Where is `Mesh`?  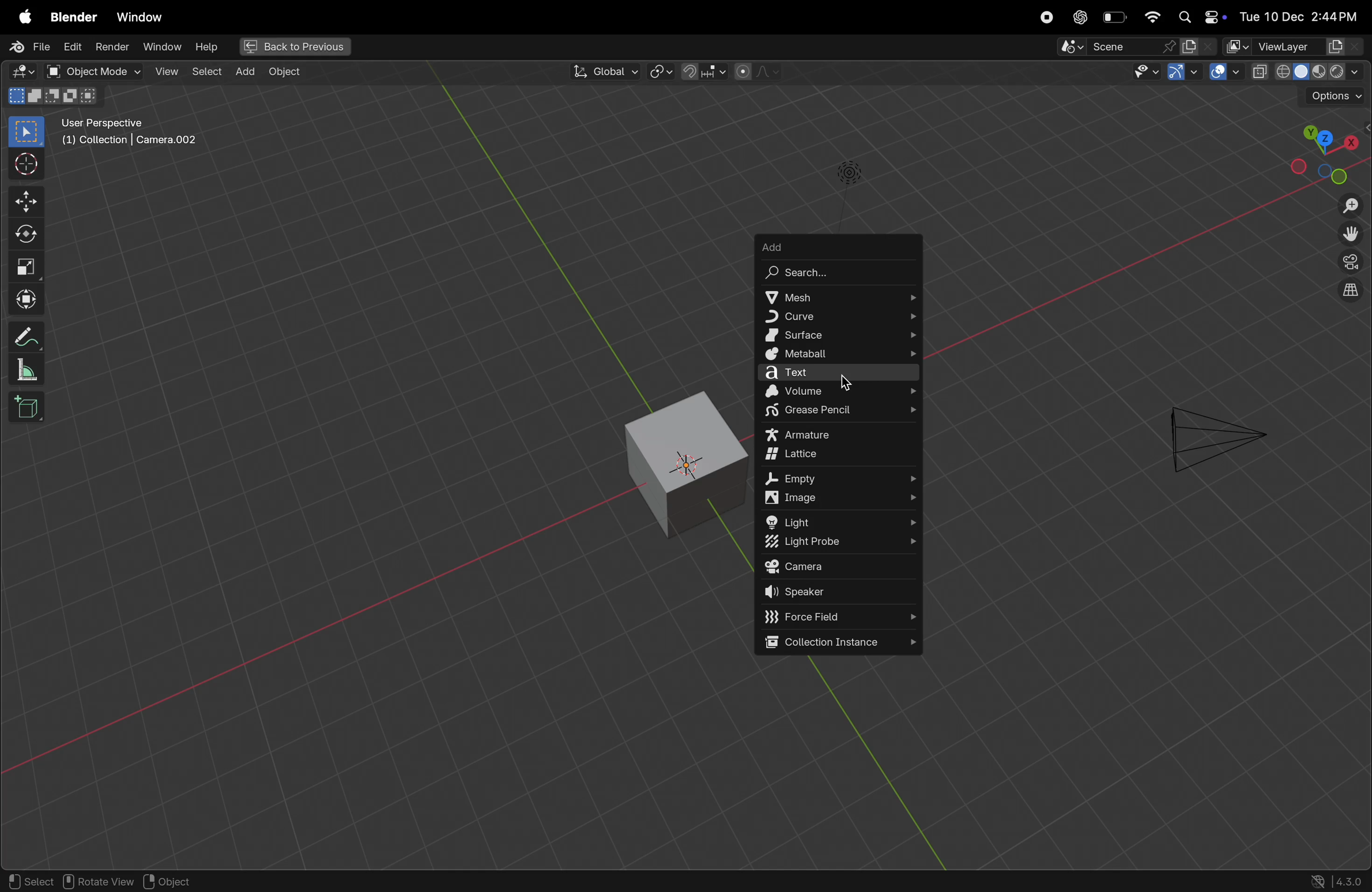 Mesh is located at coordinates (837, 297).